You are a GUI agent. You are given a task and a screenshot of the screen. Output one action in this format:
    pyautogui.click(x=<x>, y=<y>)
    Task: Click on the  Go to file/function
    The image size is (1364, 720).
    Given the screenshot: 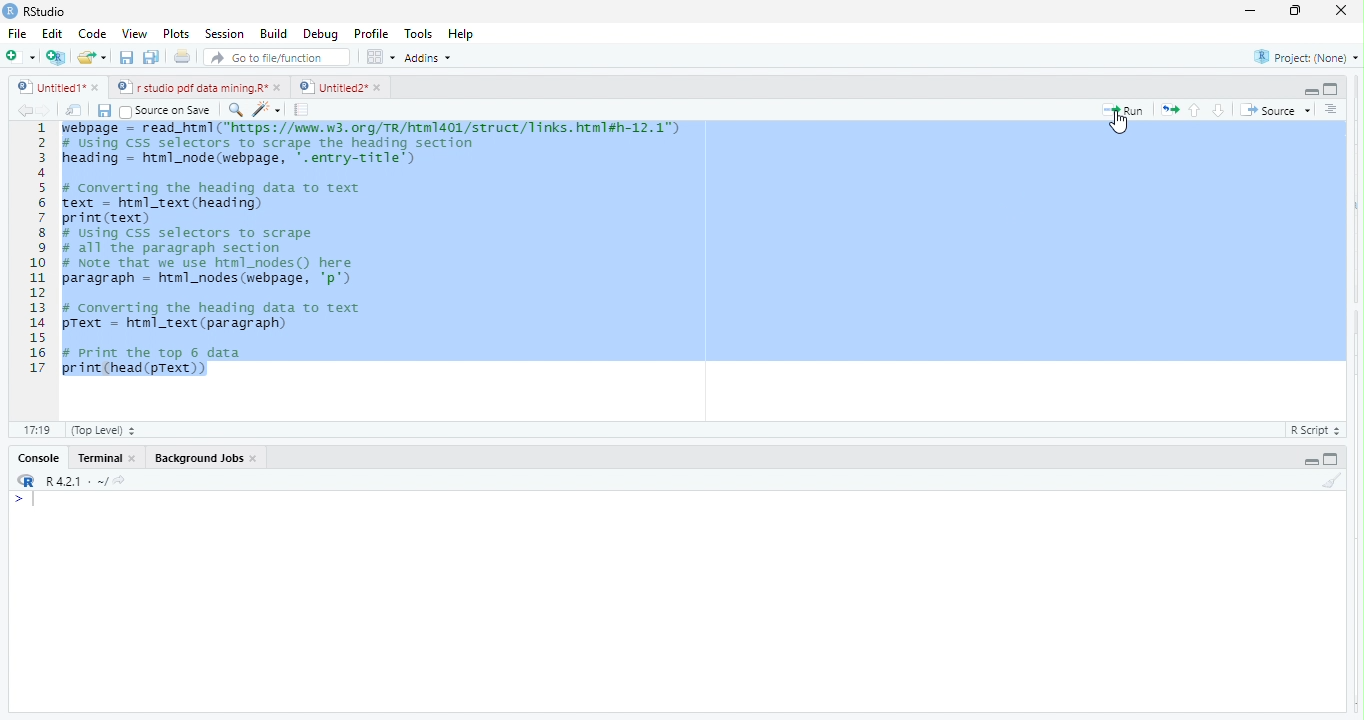 What is the action you would take?
    pyautogui.click(x=278, y=58)
    